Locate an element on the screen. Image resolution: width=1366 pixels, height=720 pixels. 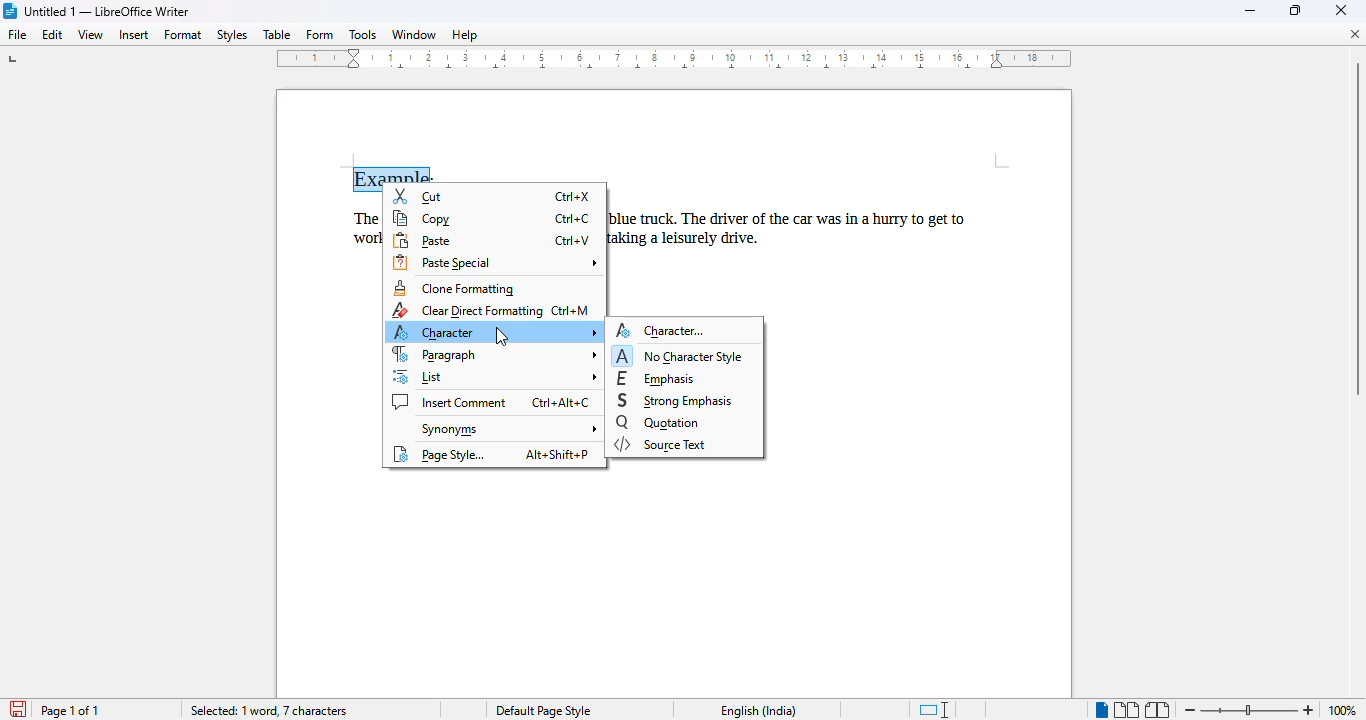
maximize is located at coordinates (1295, 9).